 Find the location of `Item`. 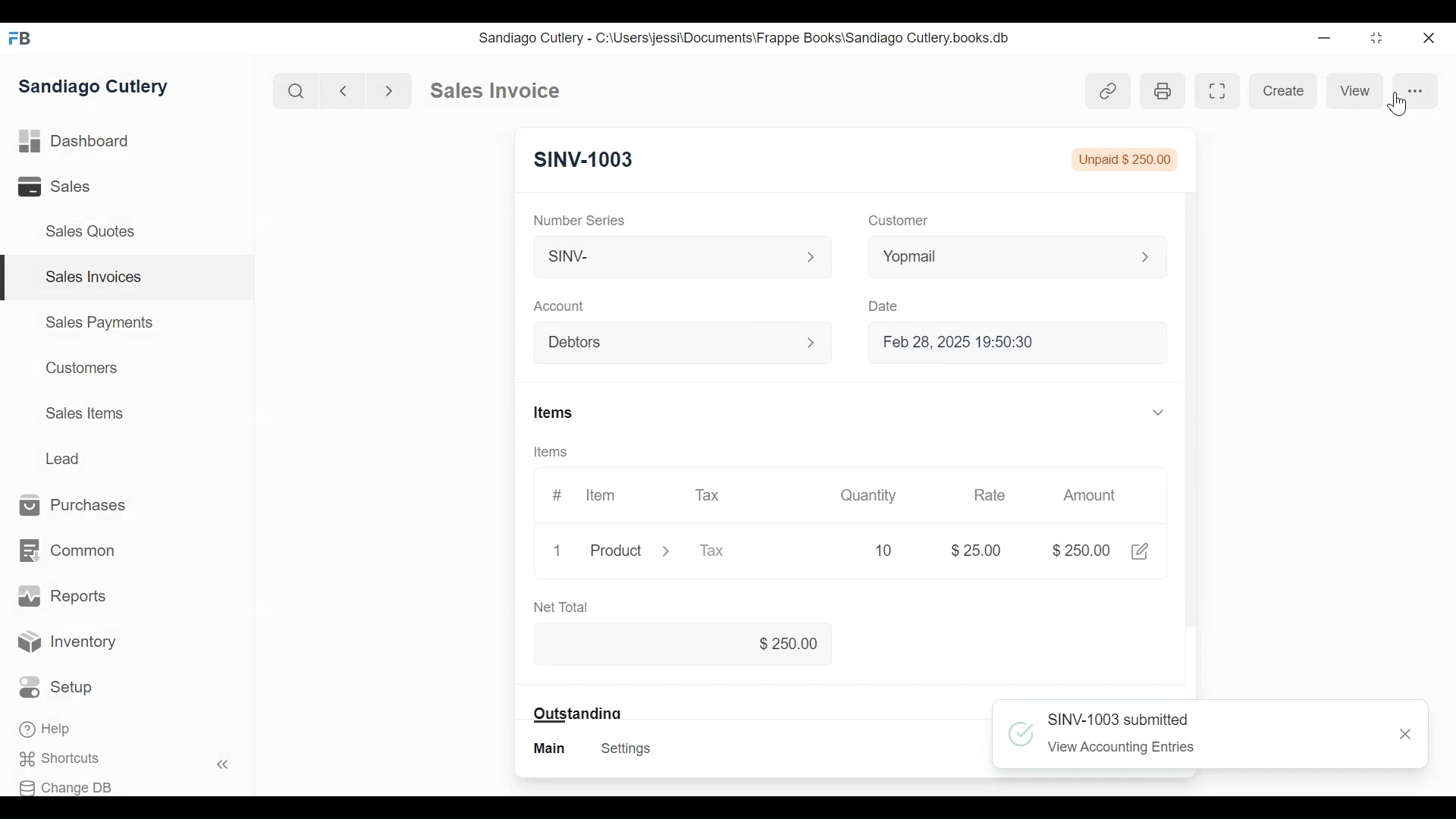

Item is located at coordinates (602, 497).